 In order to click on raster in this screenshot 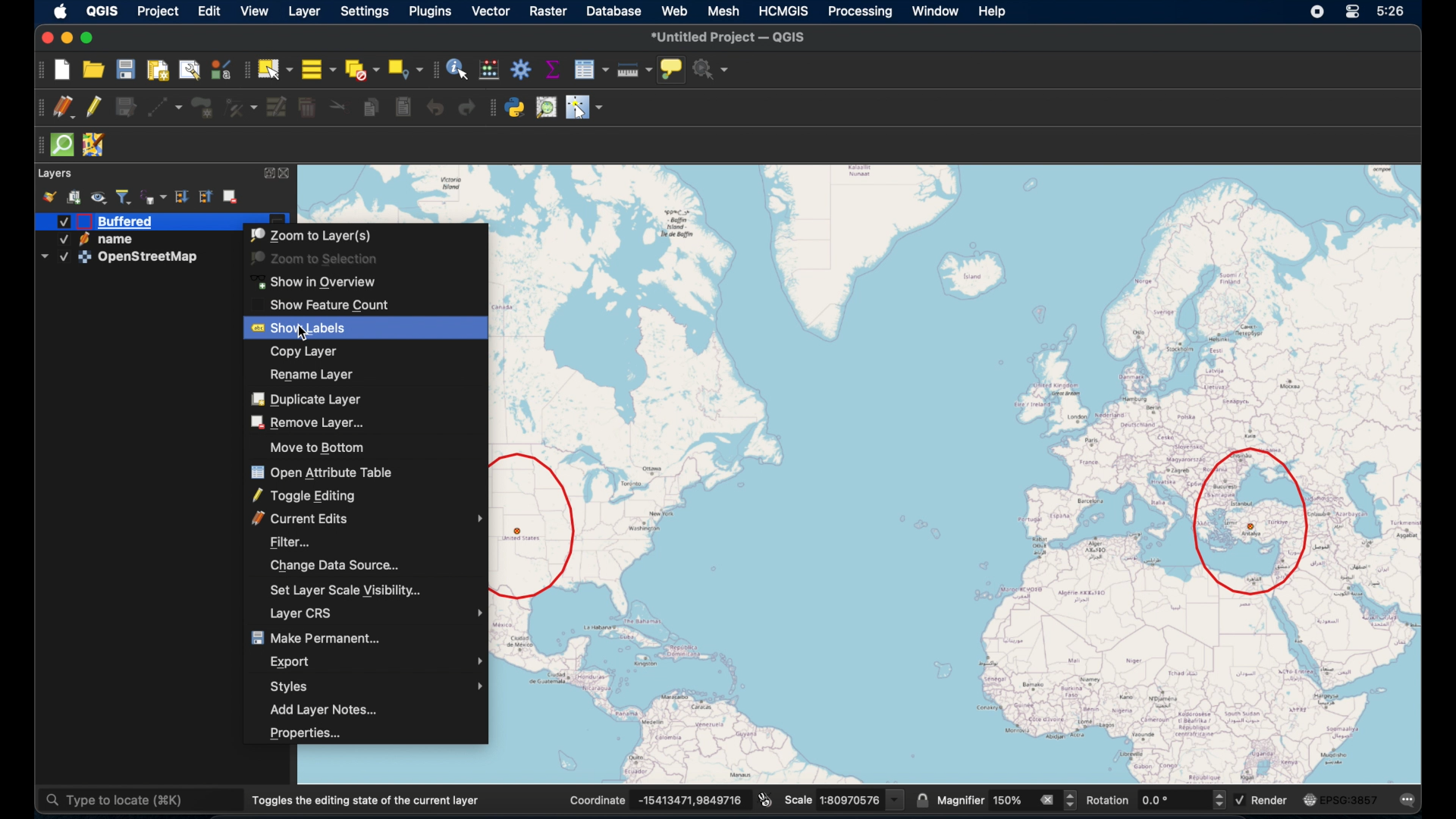, I will do `click(545, 11)`.